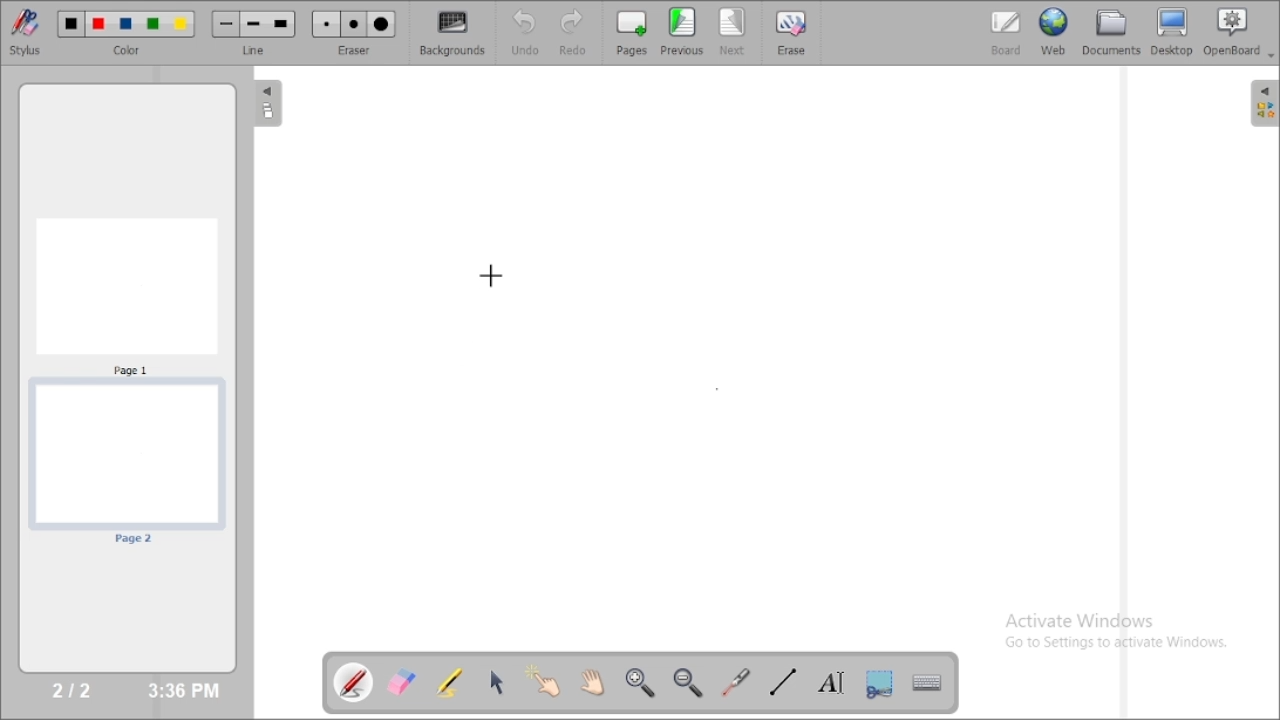 This screenshot has height=720, width=1280. What do you see at coordinates (790, 32) in the screenshot?
I see `erase` at bounding box center [790, 32].